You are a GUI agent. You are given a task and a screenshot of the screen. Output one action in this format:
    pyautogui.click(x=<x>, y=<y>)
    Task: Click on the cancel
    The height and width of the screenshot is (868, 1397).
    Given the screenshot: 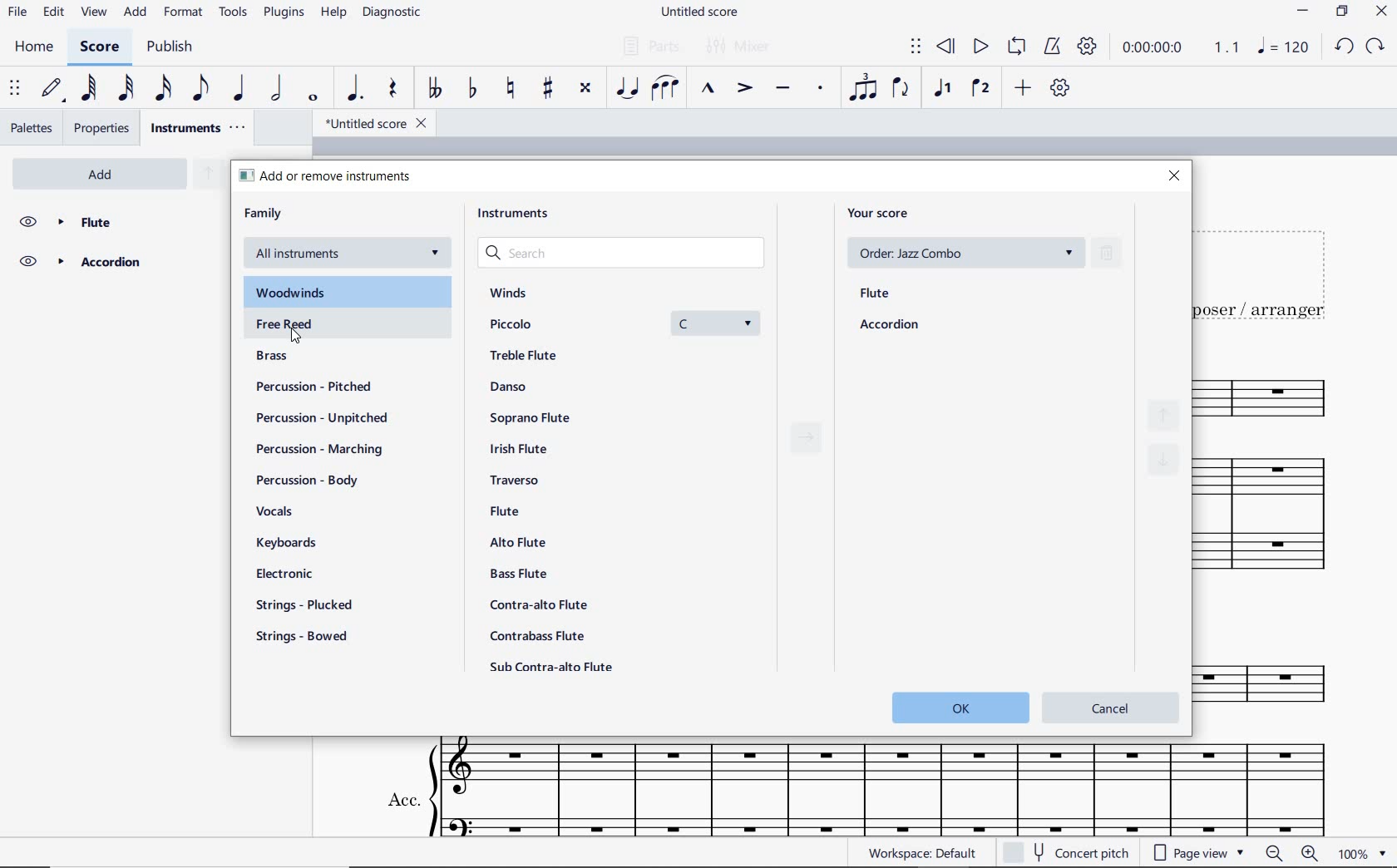 What is the action you would take?
    pyautogui.click(x=1110, y=705)
    